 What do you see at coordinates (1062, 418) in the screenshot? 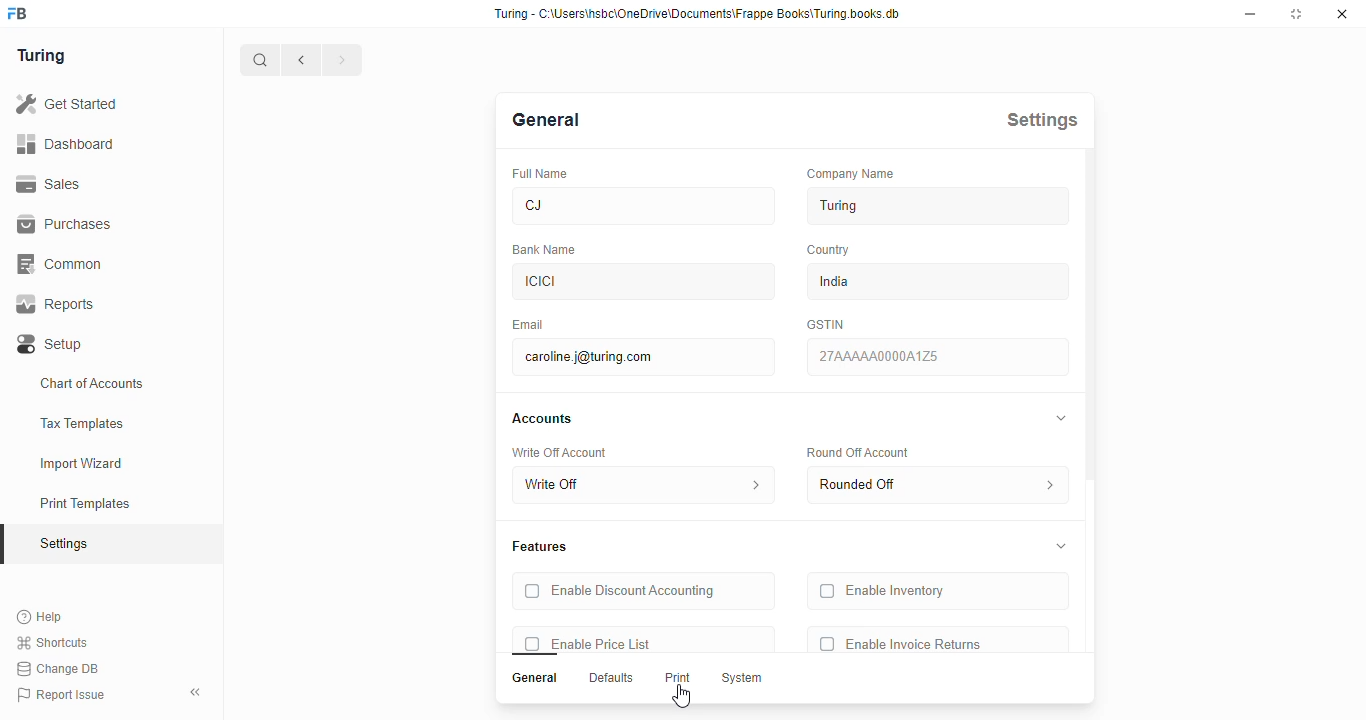
I see `toggle expand/contract` at bounding box center [1062, 418].